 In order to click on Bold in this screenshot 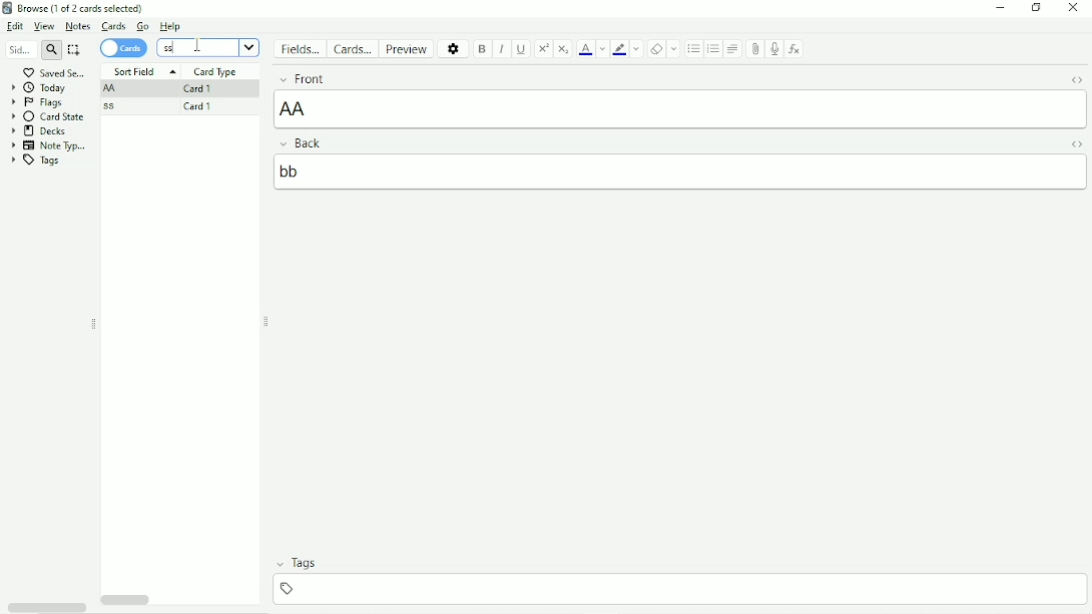, I will do `click(482, 49)`.